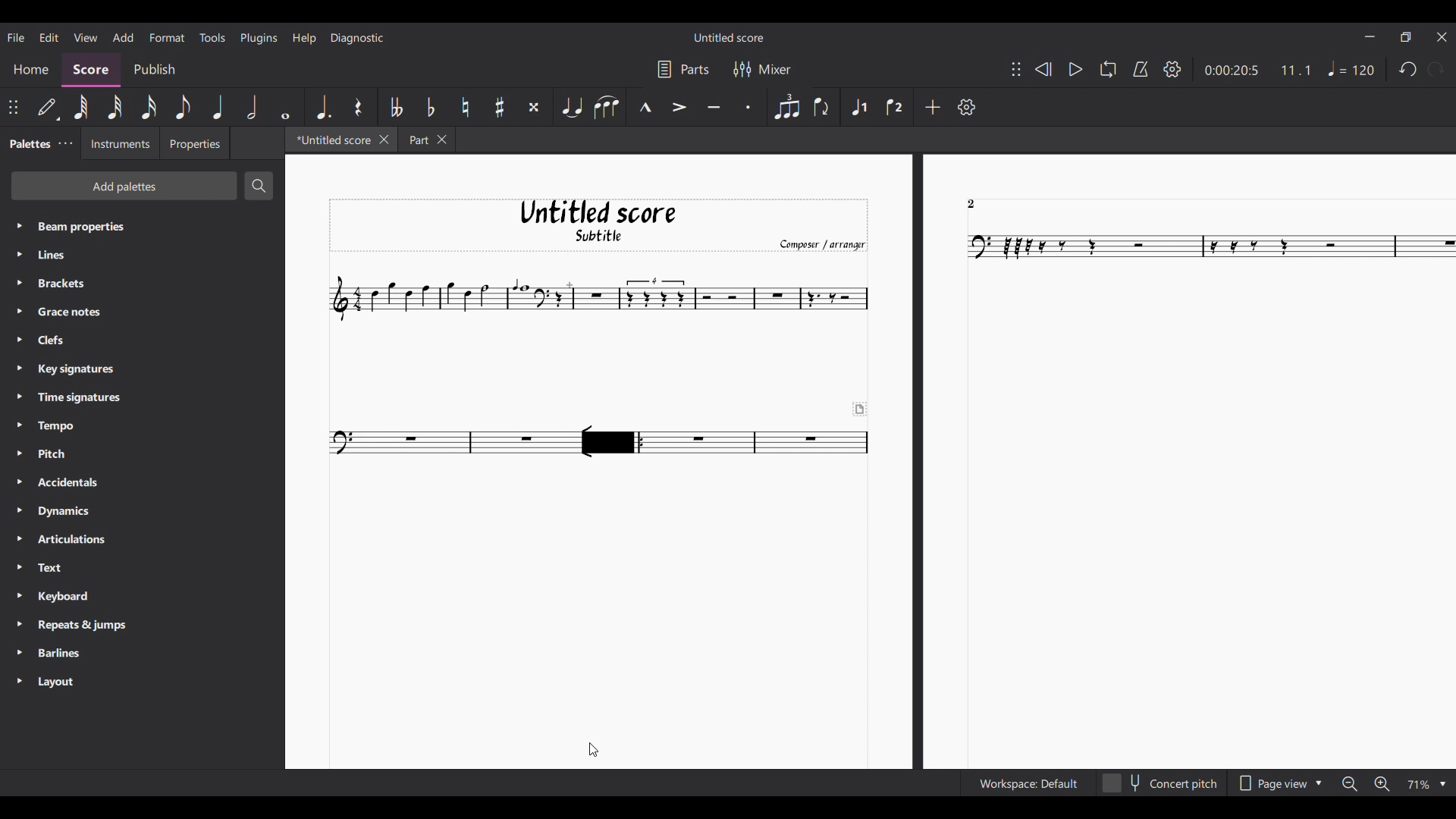 This screenshot has width=1456, height=819. What do you see at coordinates (149, 107) in the screenshot?
I see `16th note` at bounding box center [149, 107].